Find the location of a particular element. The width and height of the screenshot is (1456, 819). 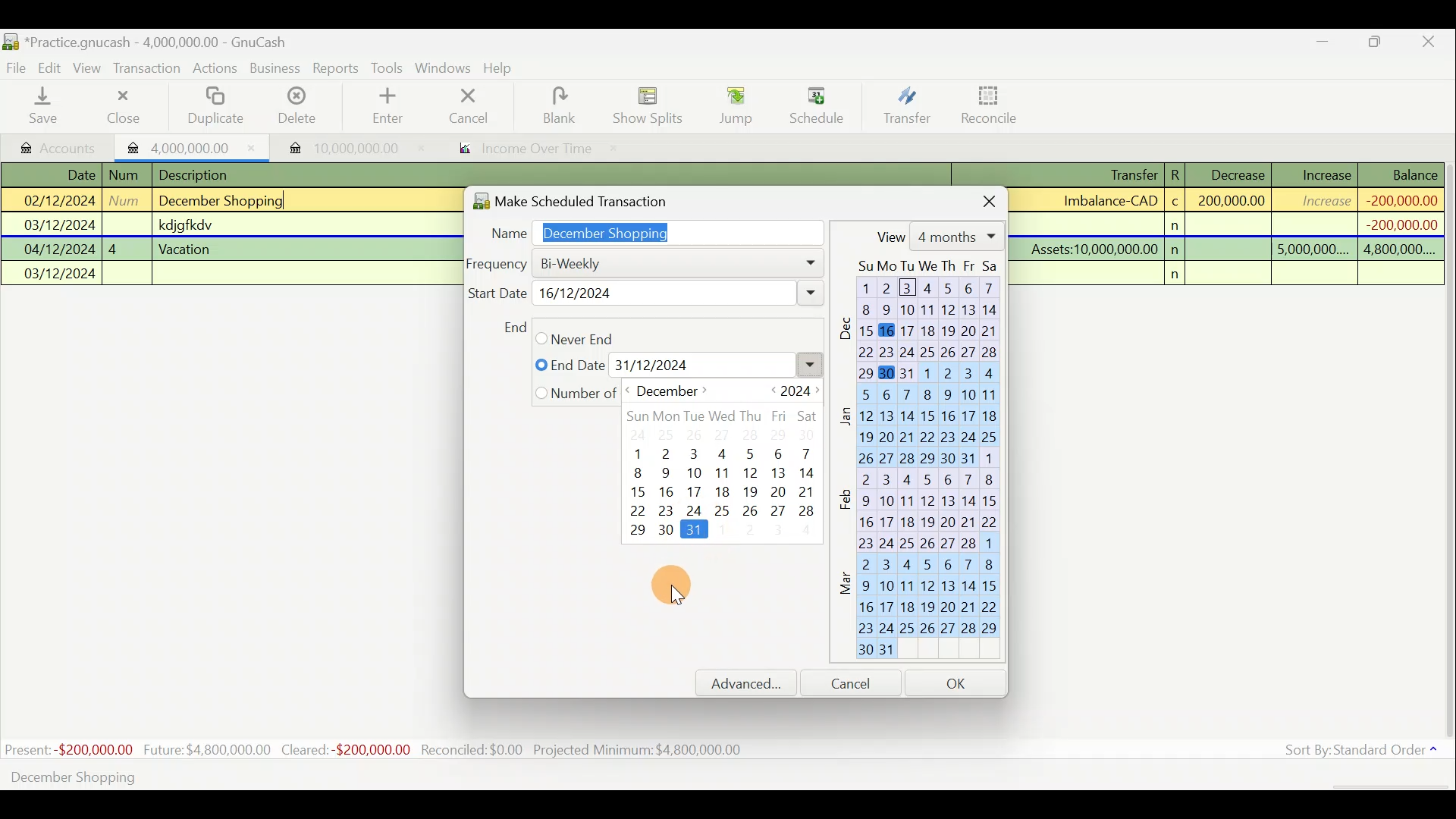

End is located at coordinates (513, 327).